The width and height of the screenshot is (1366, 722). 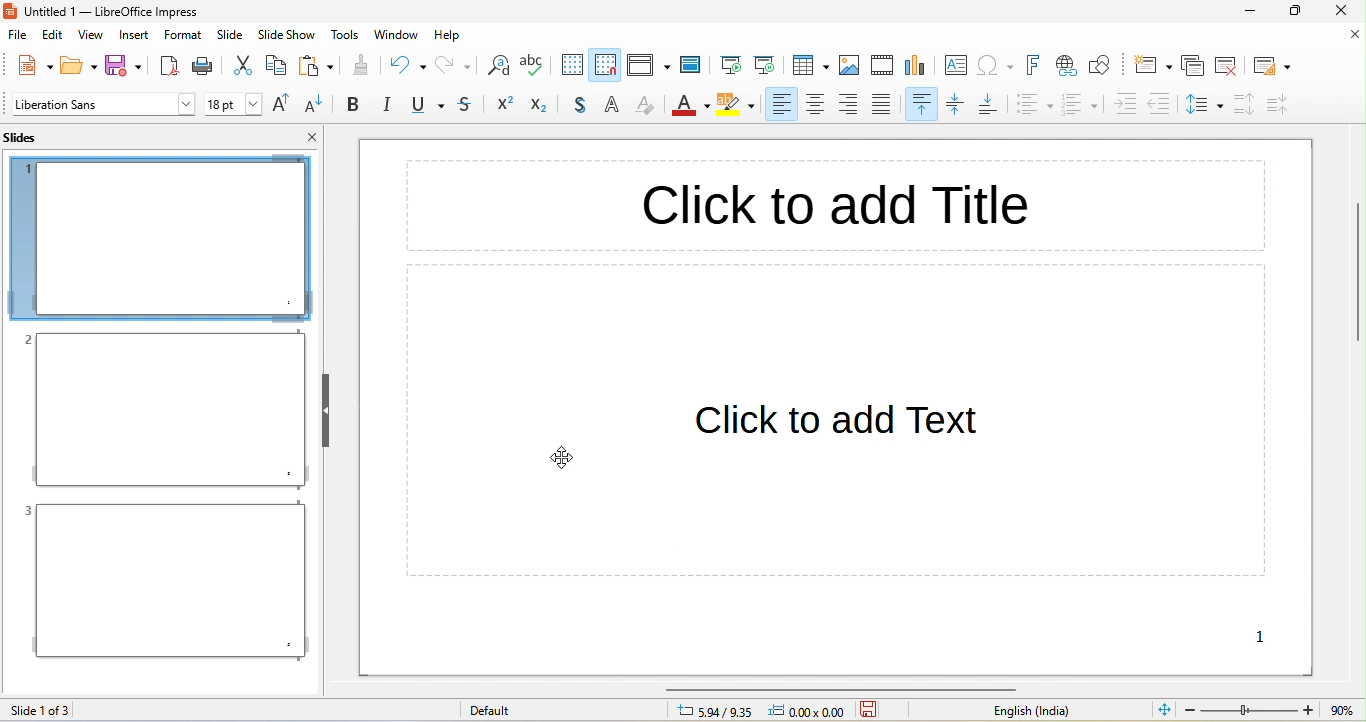 I want to click on align right, so click(x=852, y=105).